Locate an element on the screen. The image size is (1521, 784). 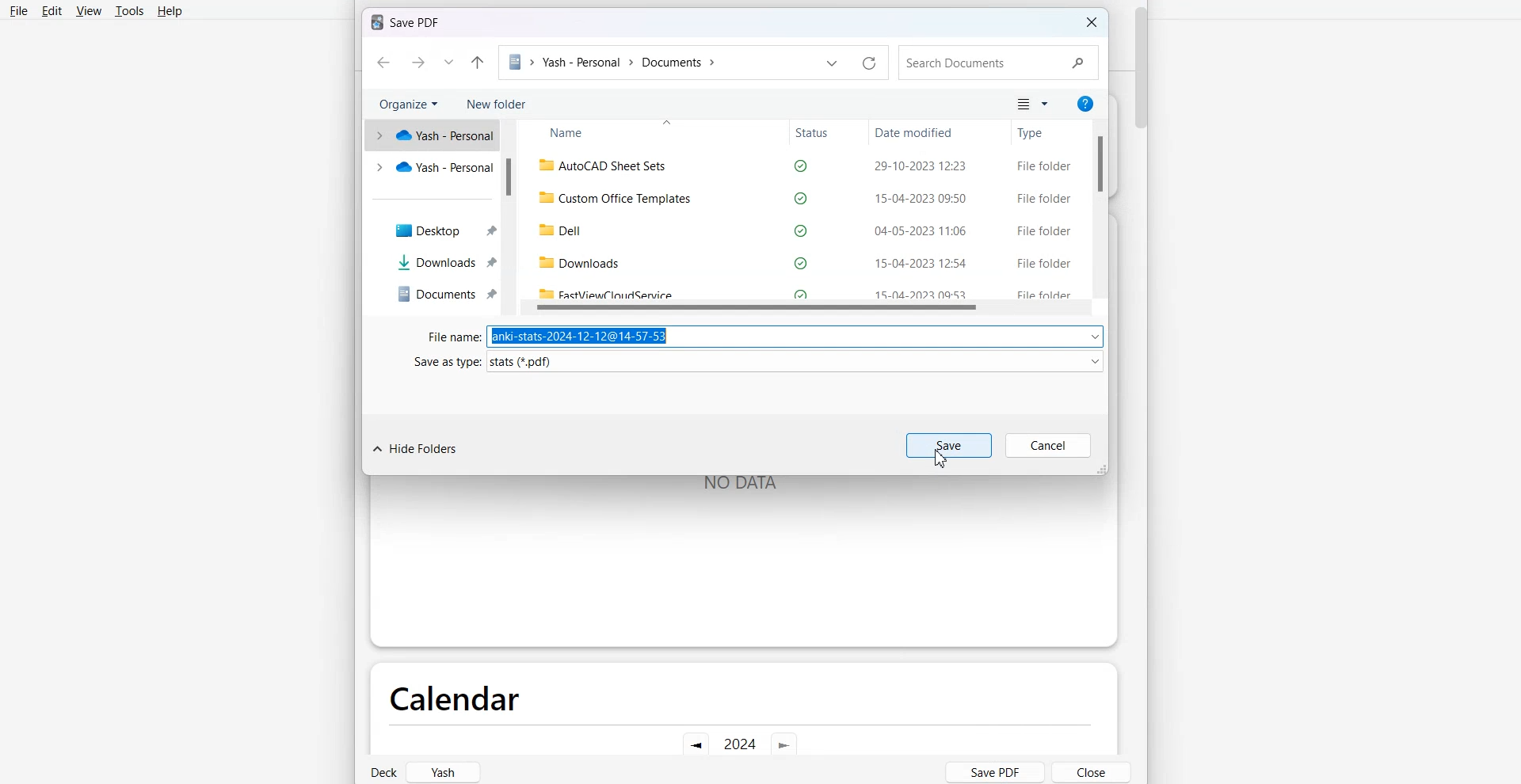
Hide Folders is located at coordinates (415, 451).